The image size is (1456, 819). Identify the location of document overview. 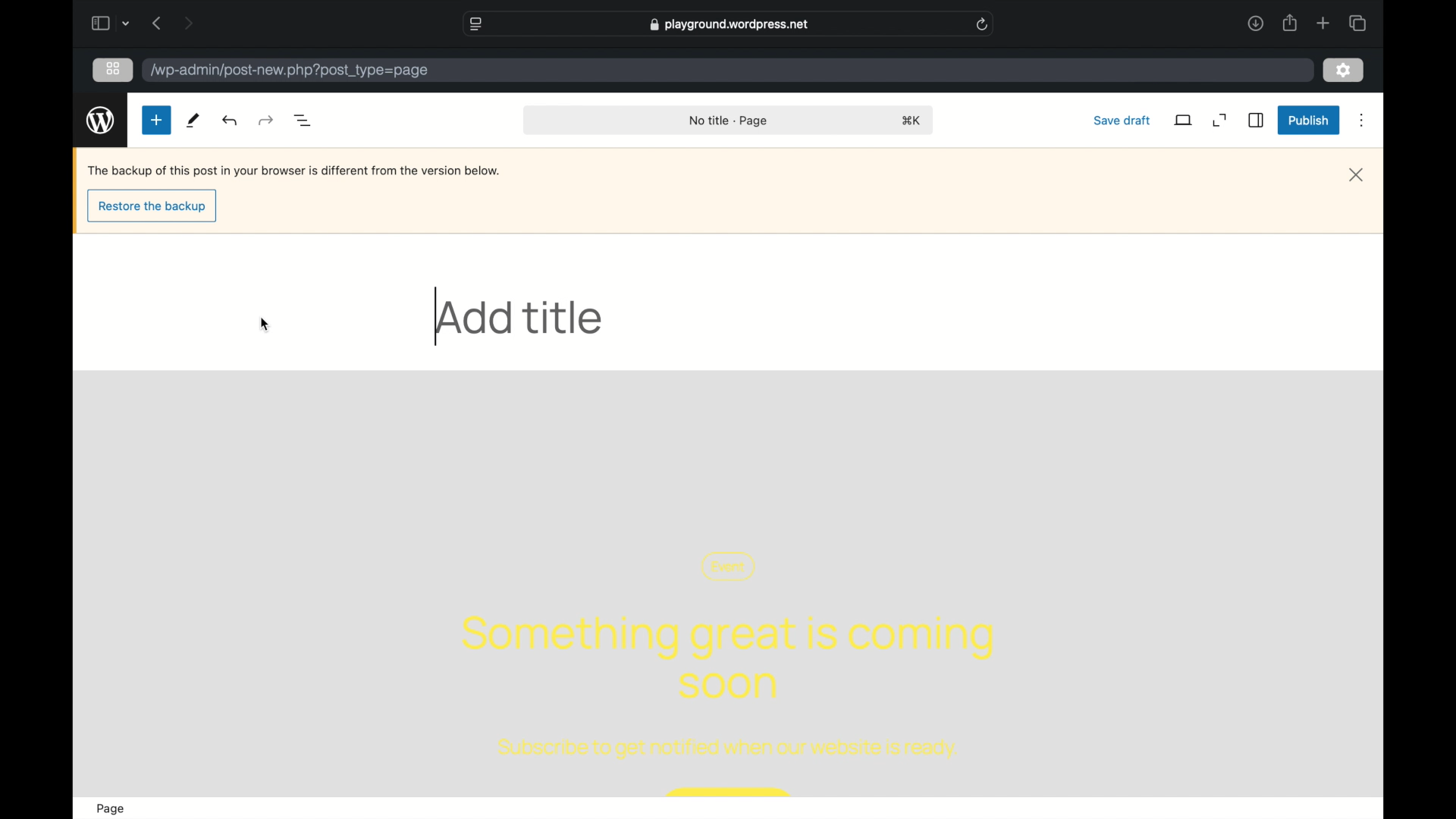
(303, 121).